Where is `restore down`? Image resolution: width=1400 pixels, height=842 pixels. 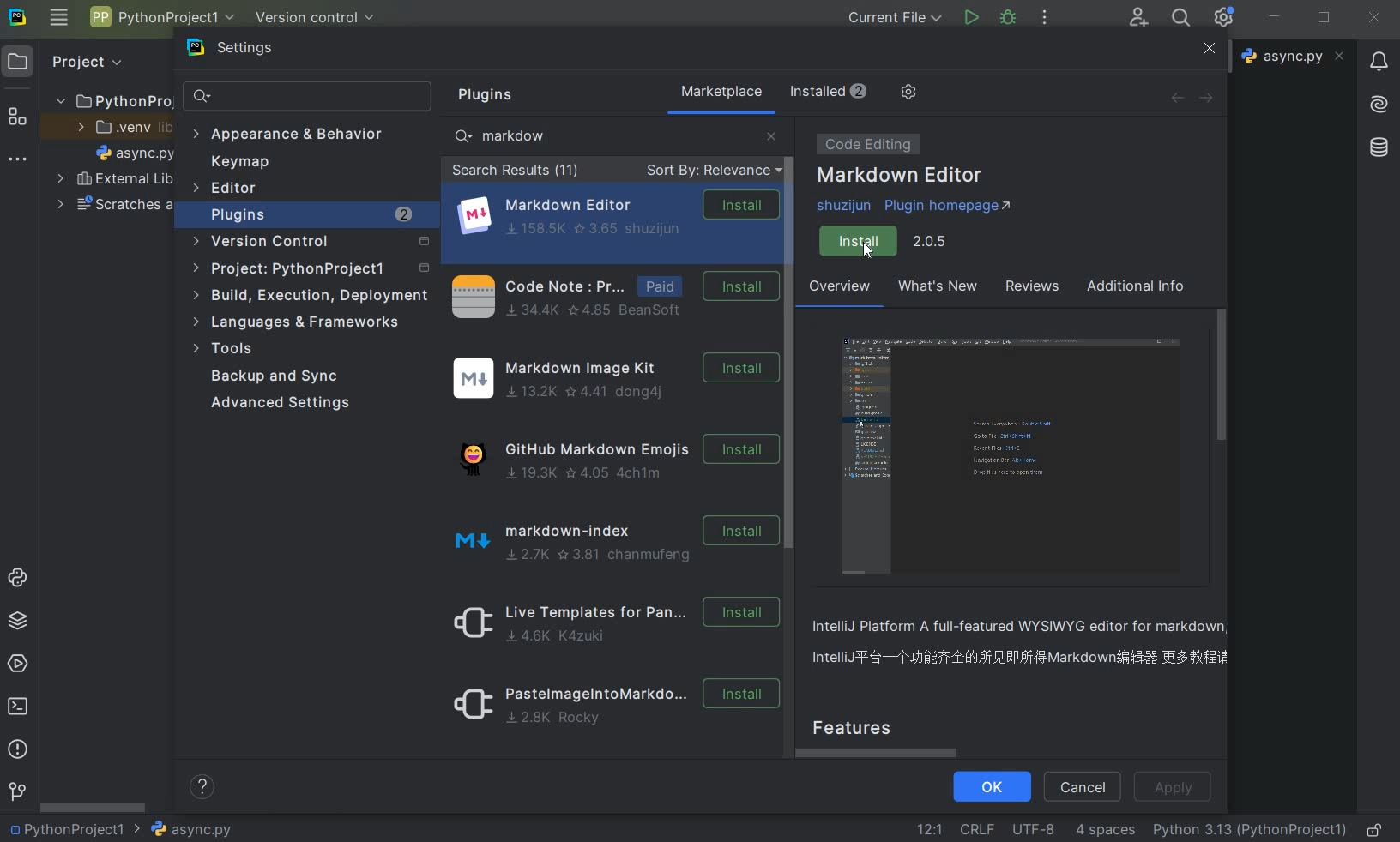 restore down is located at coordinates (1325, 19).